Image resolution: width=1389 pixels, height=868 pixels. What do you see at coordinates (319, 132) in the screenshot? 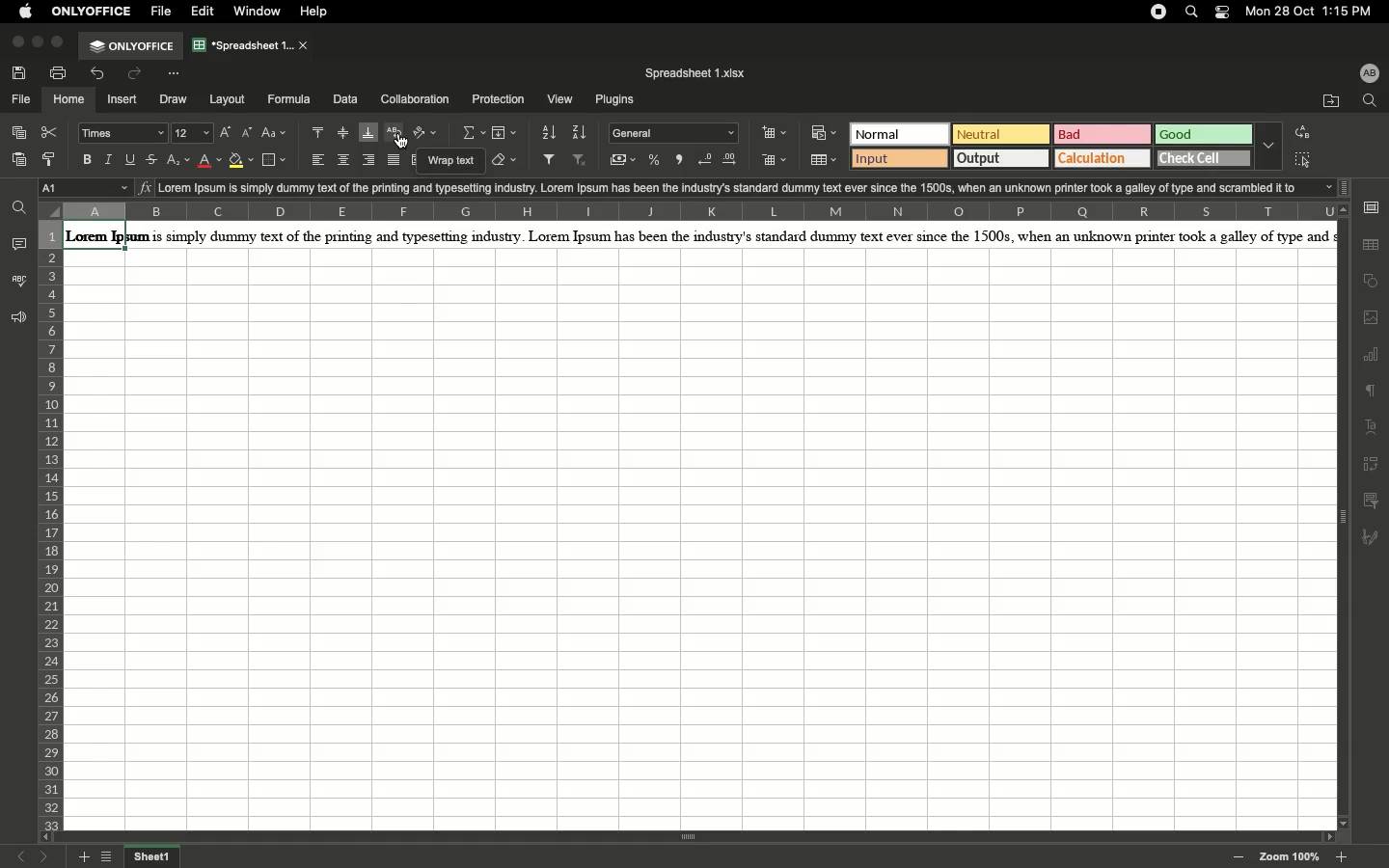
I see `Align top` at bounding box center [319, 132].